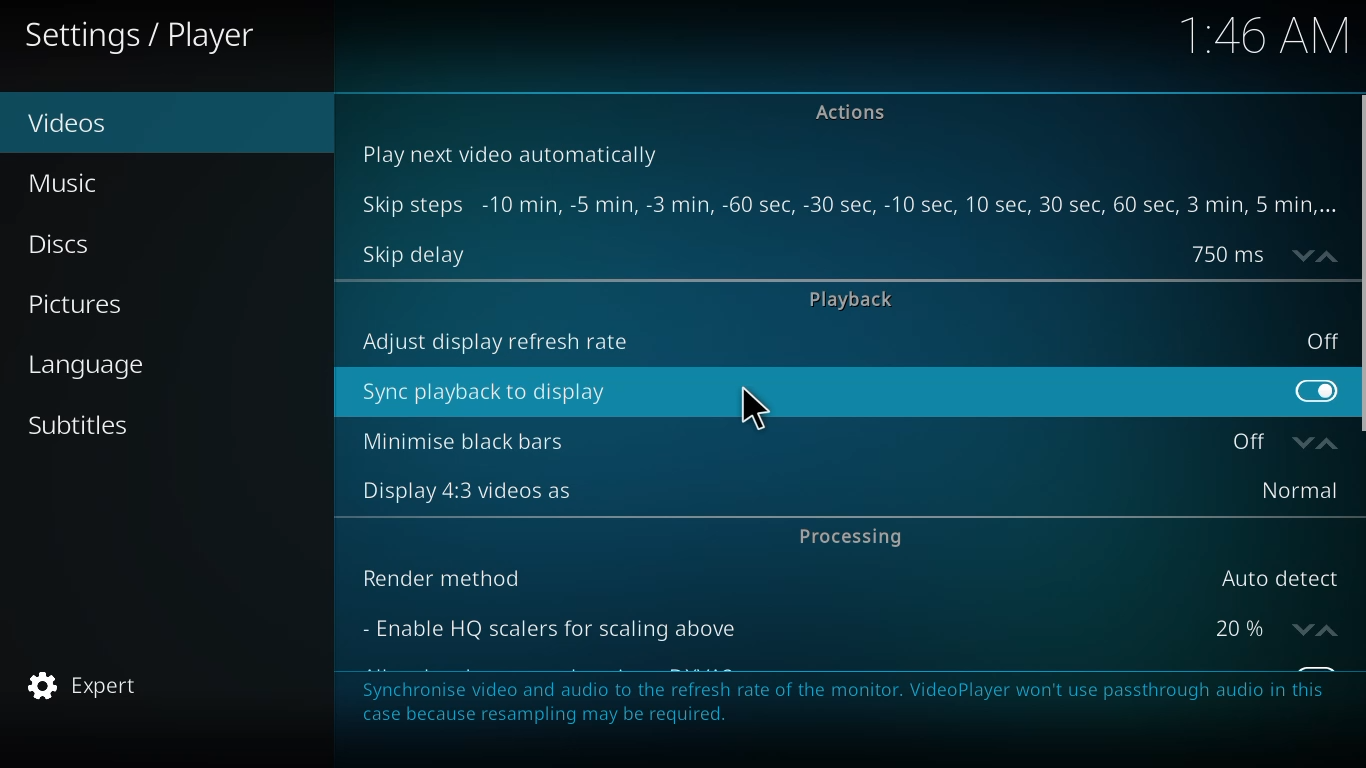 The height and width of the screenshot is (768, 1366). Describe the element at coordinates (850, 538) in the screenshot. I see `processing` at that location.